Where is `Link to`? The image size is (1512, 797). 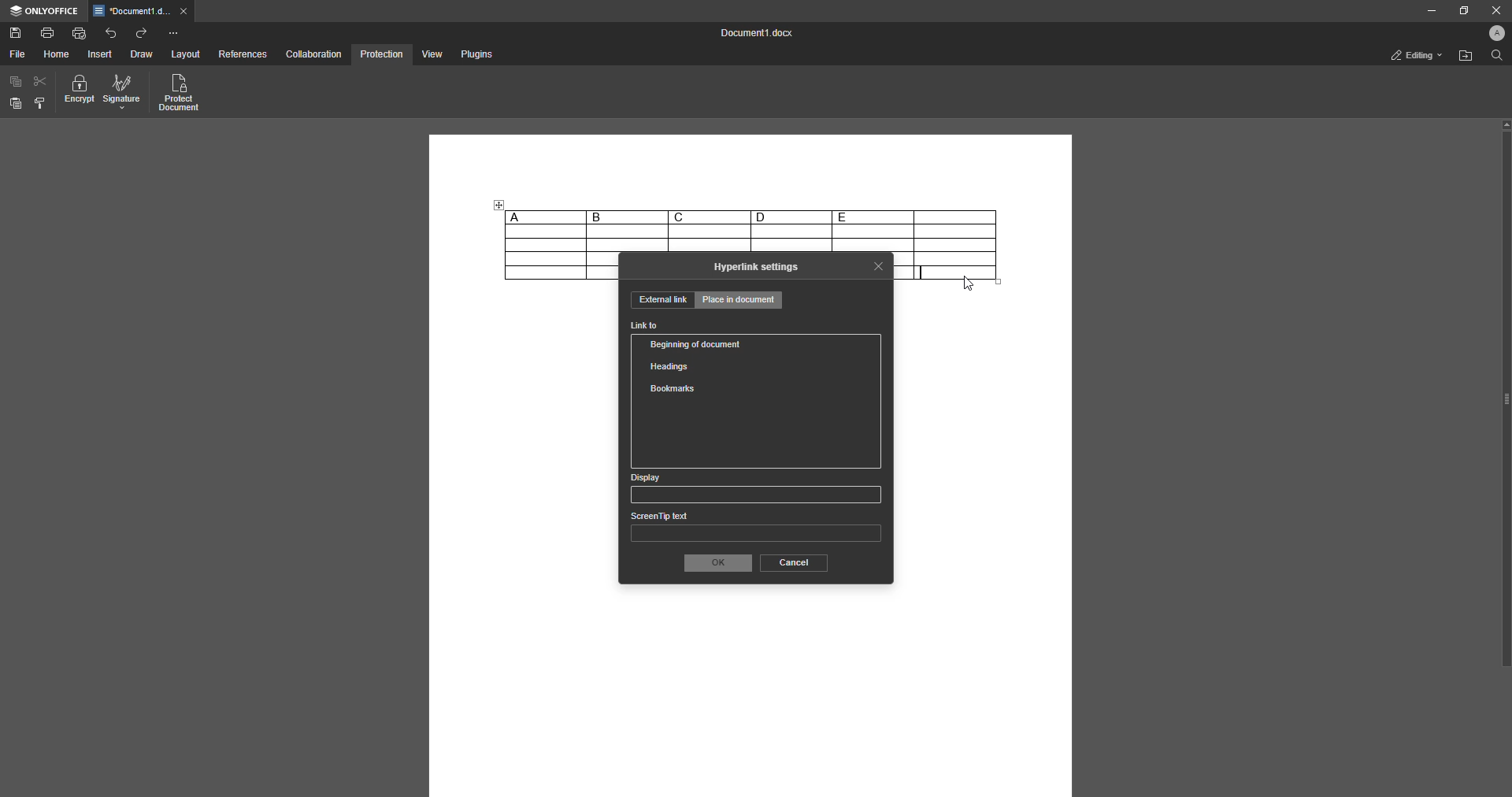 Link to is located at coordinates (645, 326).